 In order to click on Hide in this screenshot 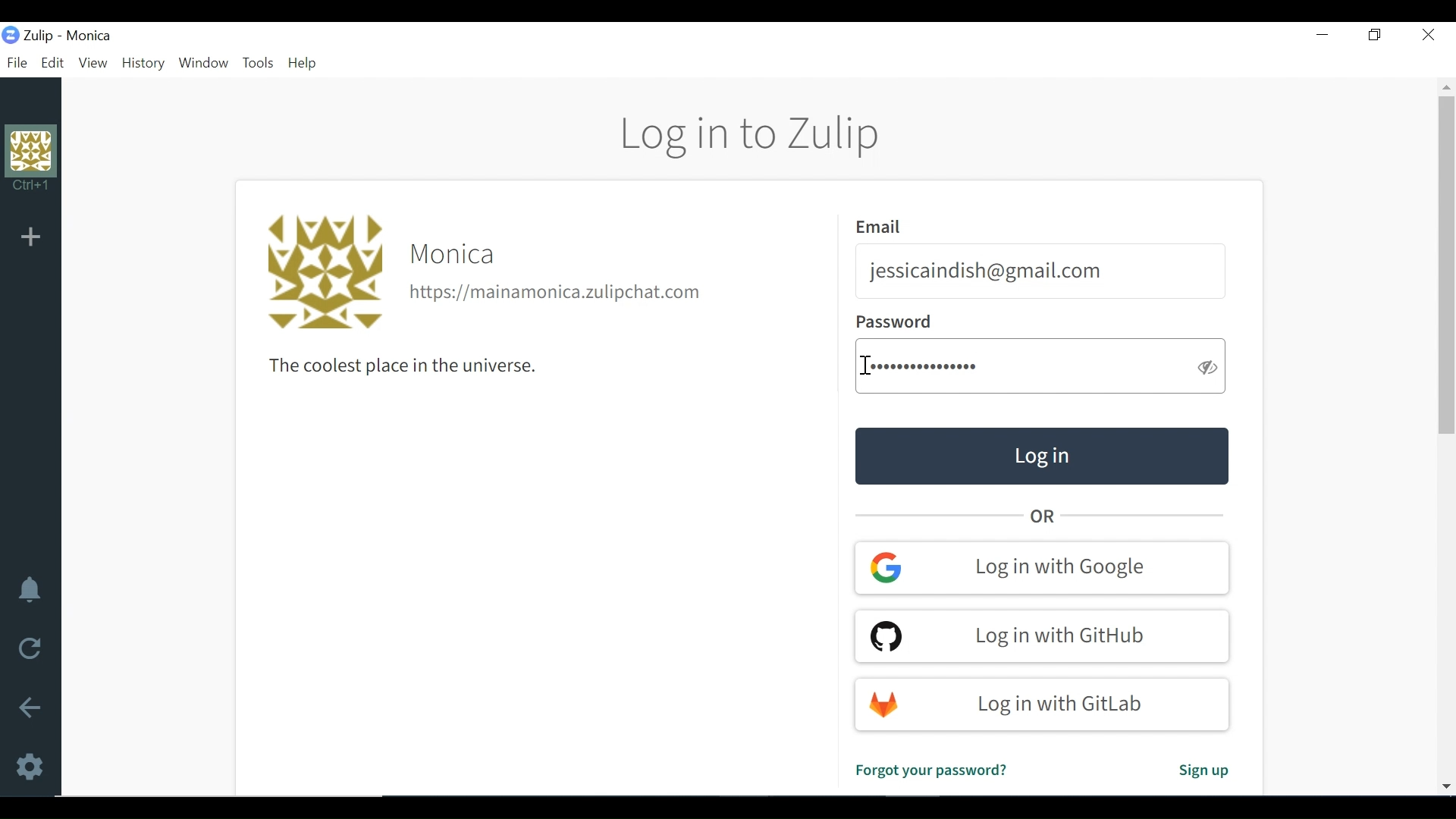, I will do `click(1208, 366)`.